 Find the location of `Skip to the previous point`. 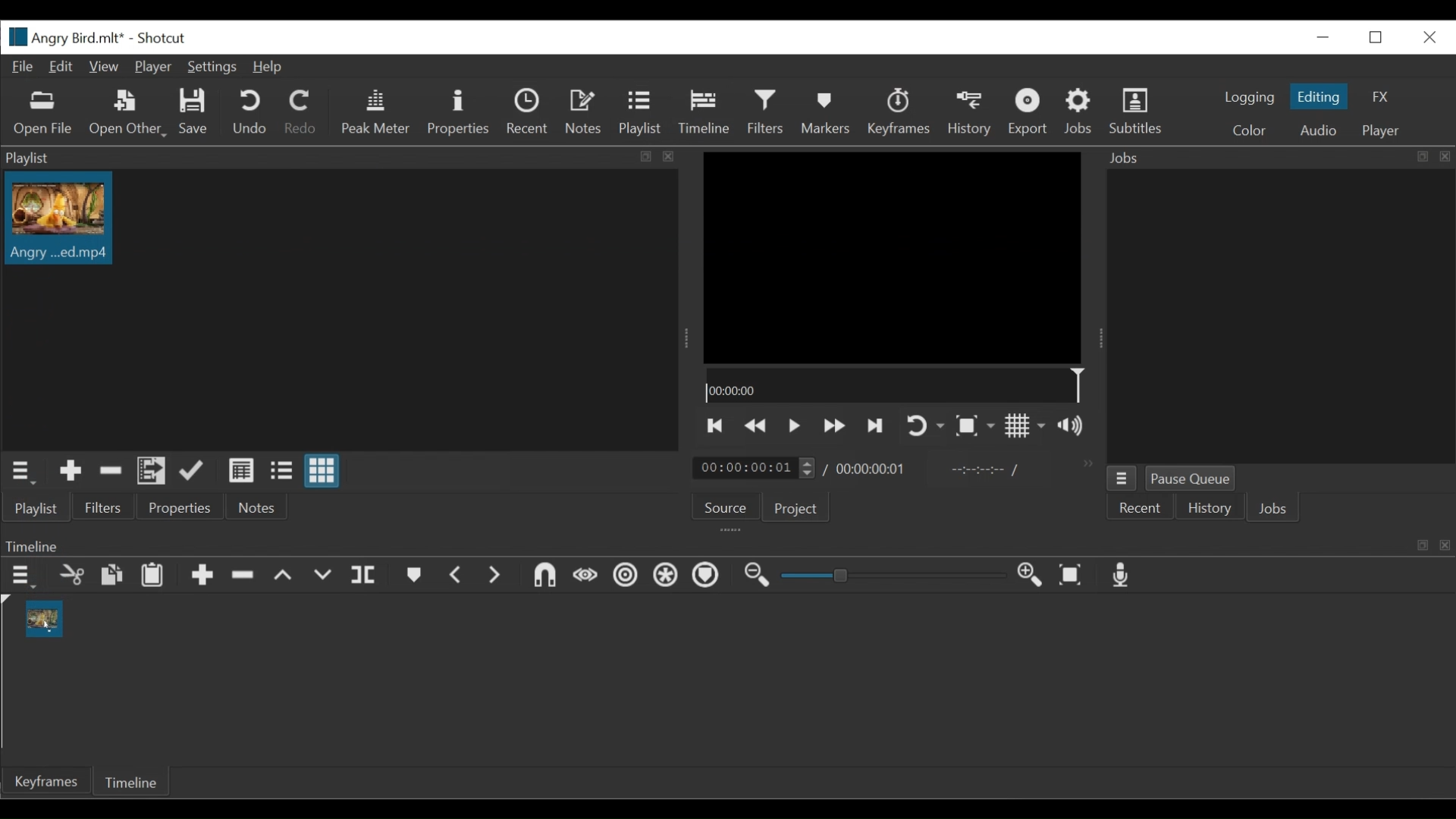

Skip to the previous point is located at coordinates (717, 426).